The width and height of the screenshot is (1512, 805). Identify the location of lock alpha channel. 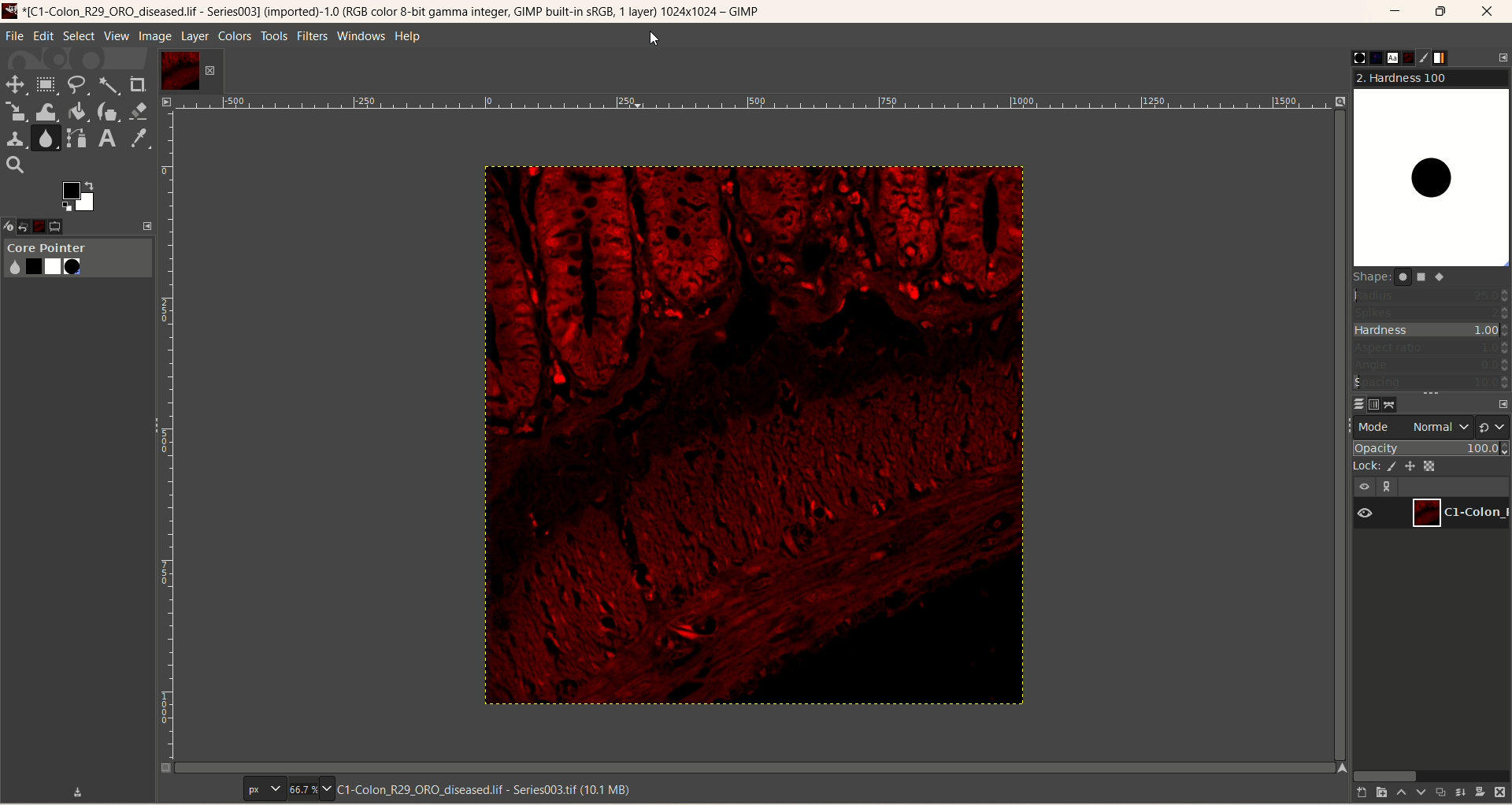
(1438, 466).